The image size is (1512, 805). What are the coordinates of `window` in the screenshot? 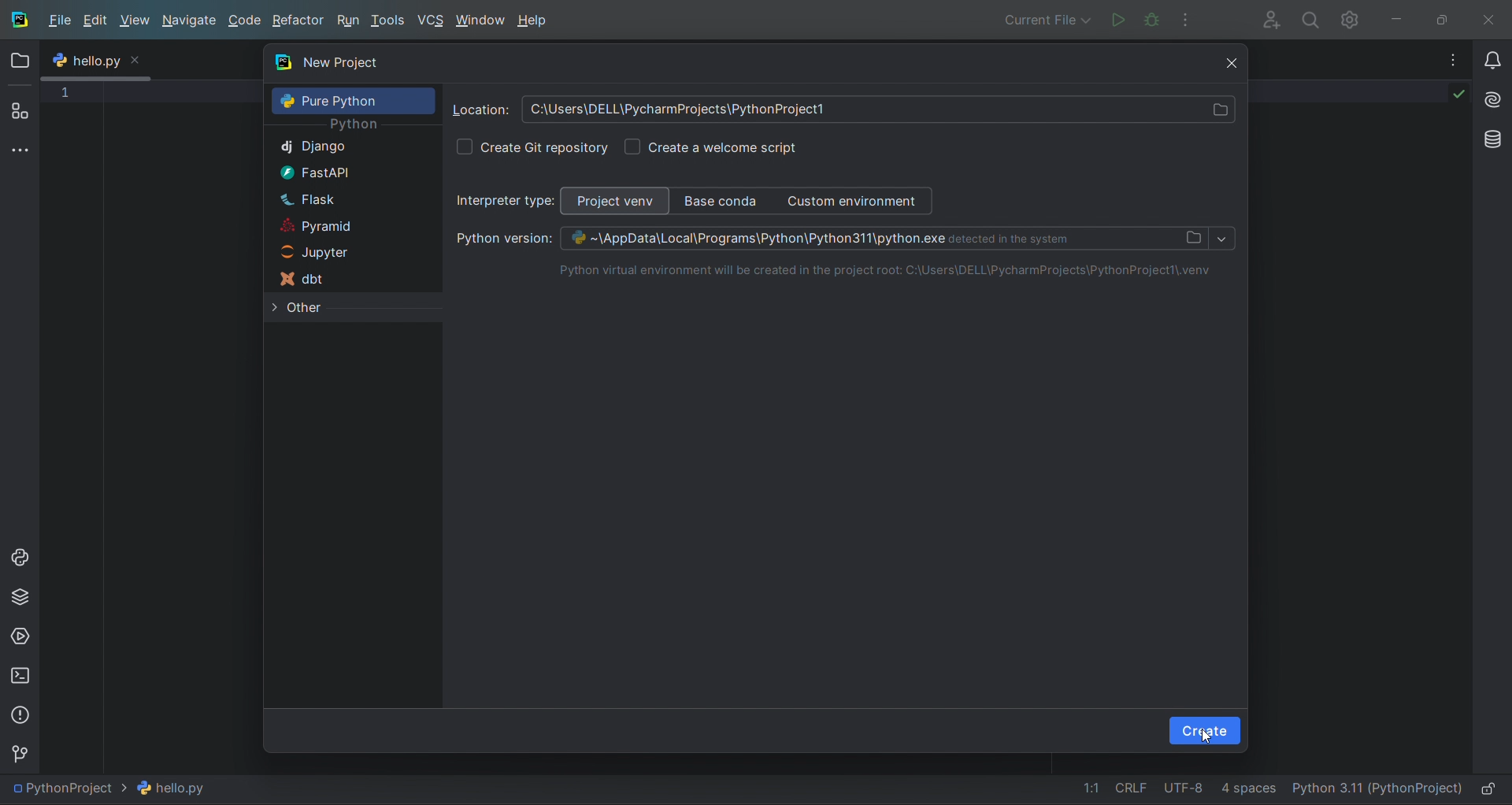 It's located at (482, 20).